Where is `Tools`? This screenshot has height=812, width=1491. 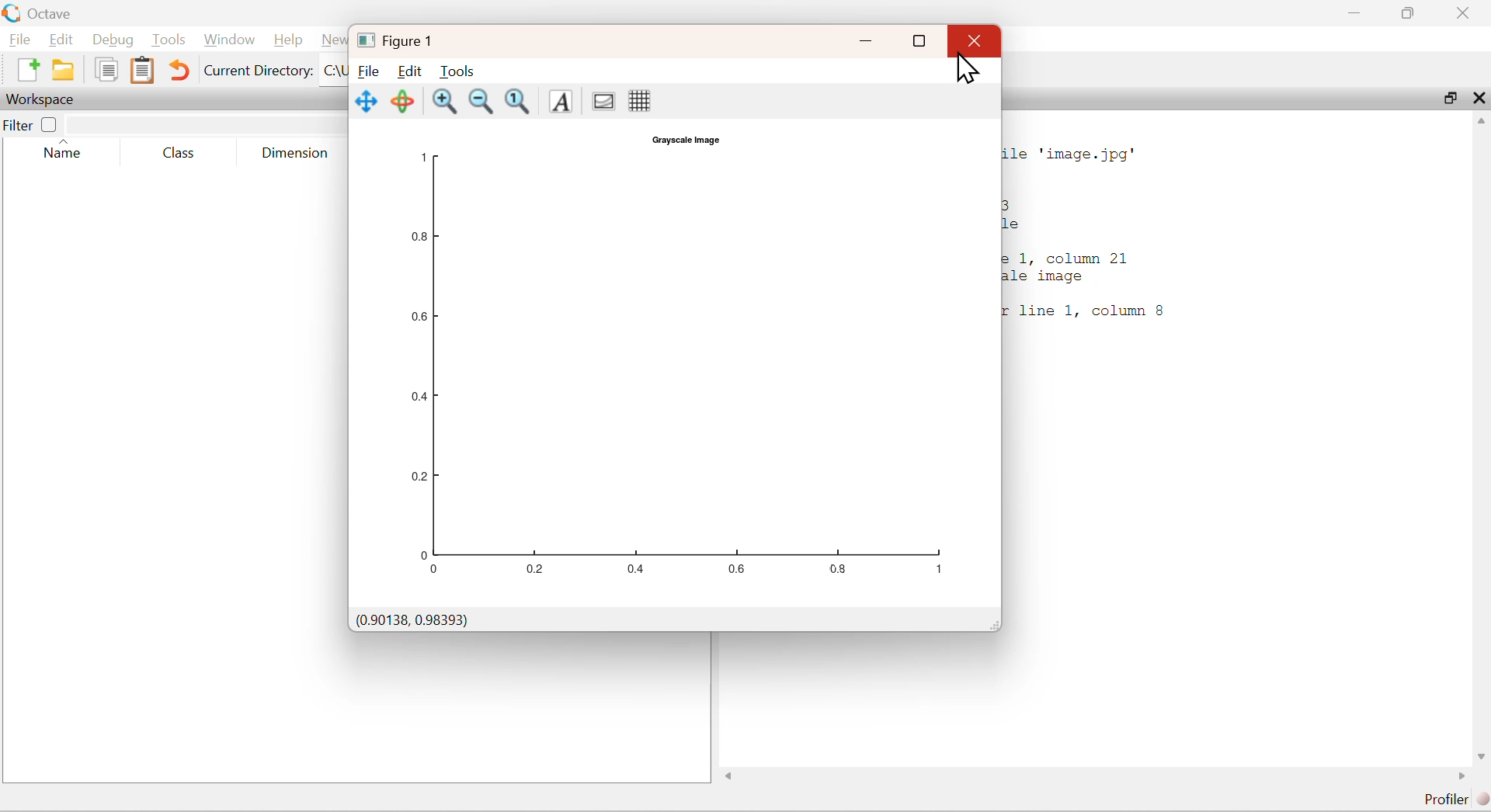
Tools is located at coordinates (169, 41).